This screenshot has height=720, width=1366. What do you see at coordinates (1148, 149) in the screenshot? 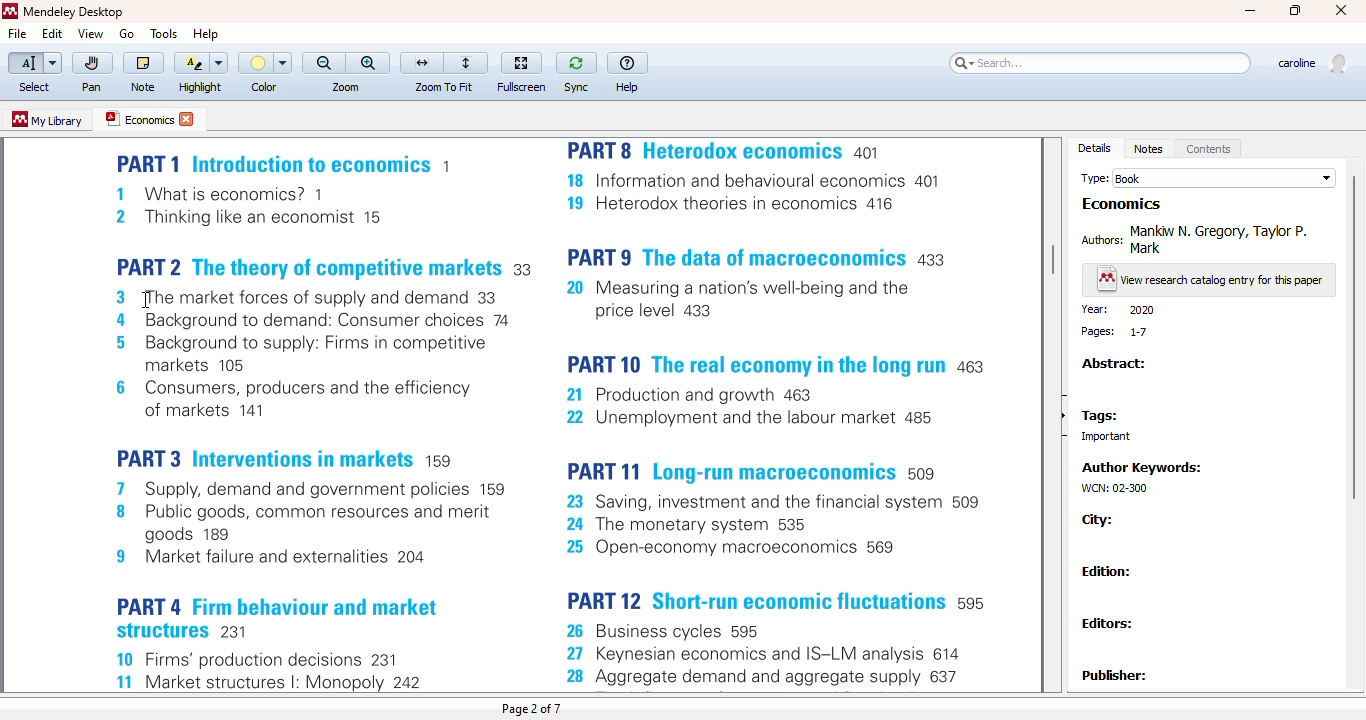
I see `notes` at bounding box center [1148, 149].